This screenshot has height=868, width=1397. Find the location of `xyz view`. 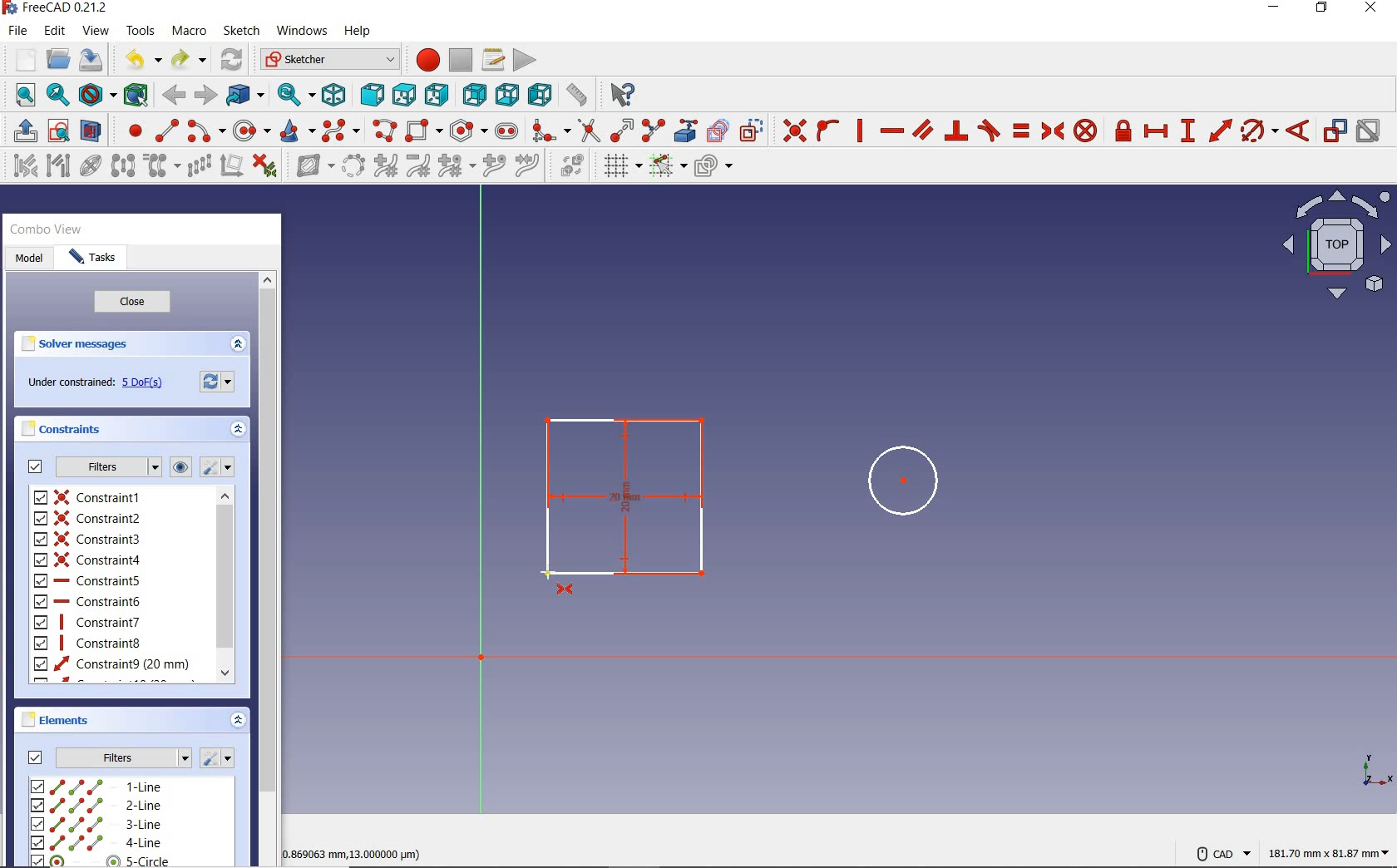

xyz view is located at coordinates (1375, 772).